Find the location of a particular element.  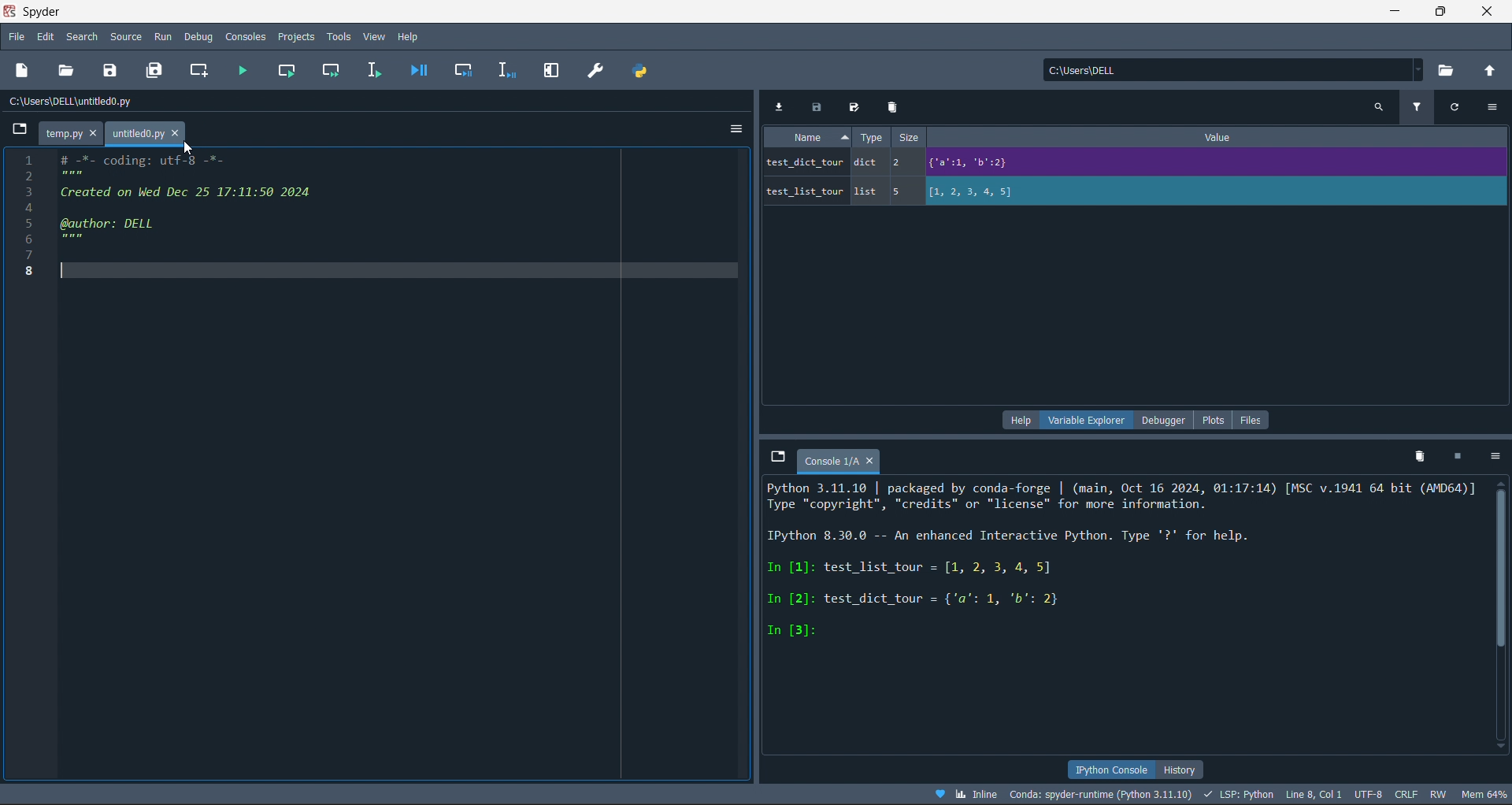

test list tour list 5 |[1,2,3, 4, 5) is located at coordinates (914, 195).